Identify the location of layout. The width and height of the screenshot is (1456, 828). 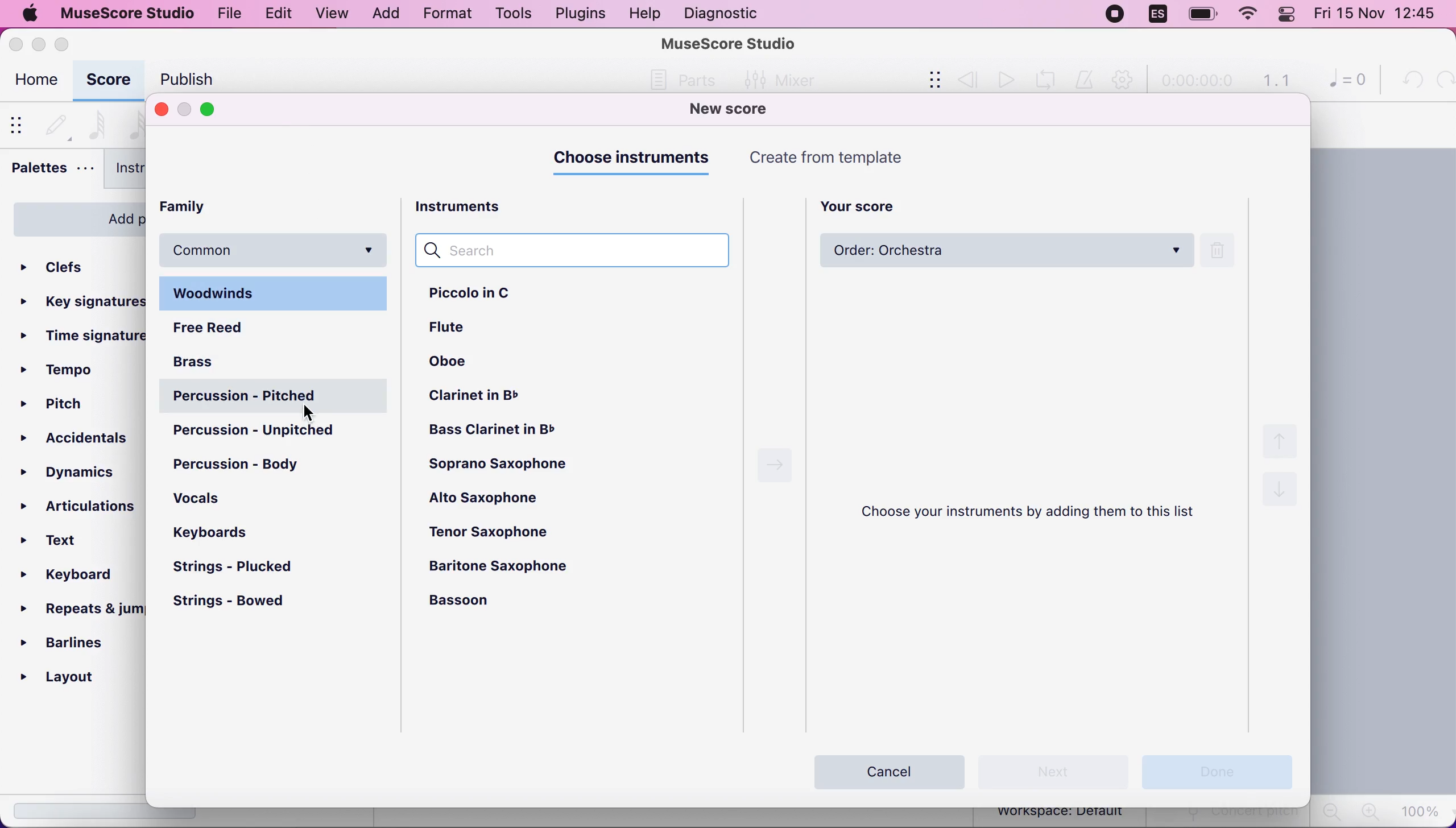
(76, 677).